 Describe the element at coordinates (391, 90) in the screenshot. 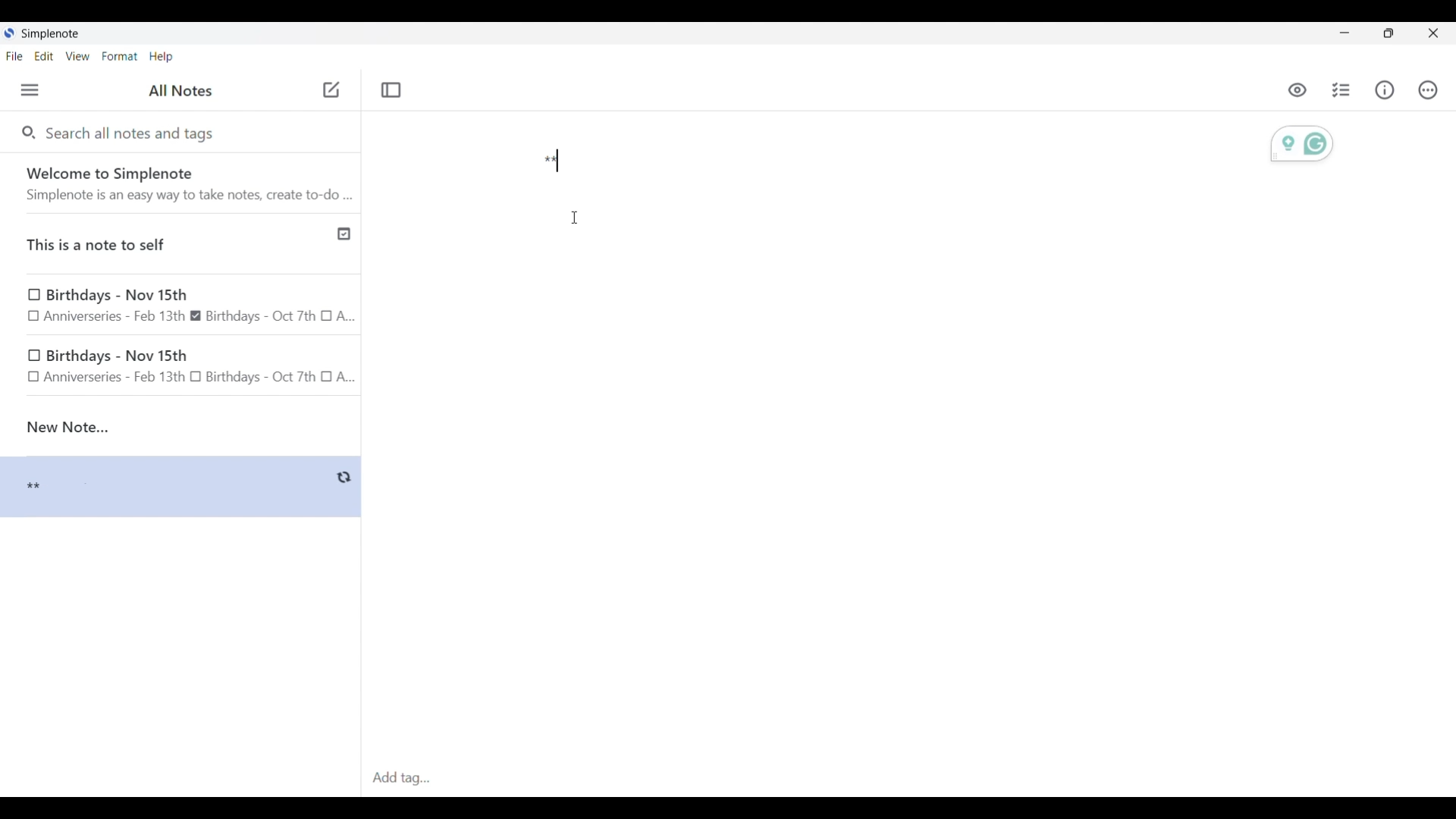

I see `Toggle focus mode` at that location.